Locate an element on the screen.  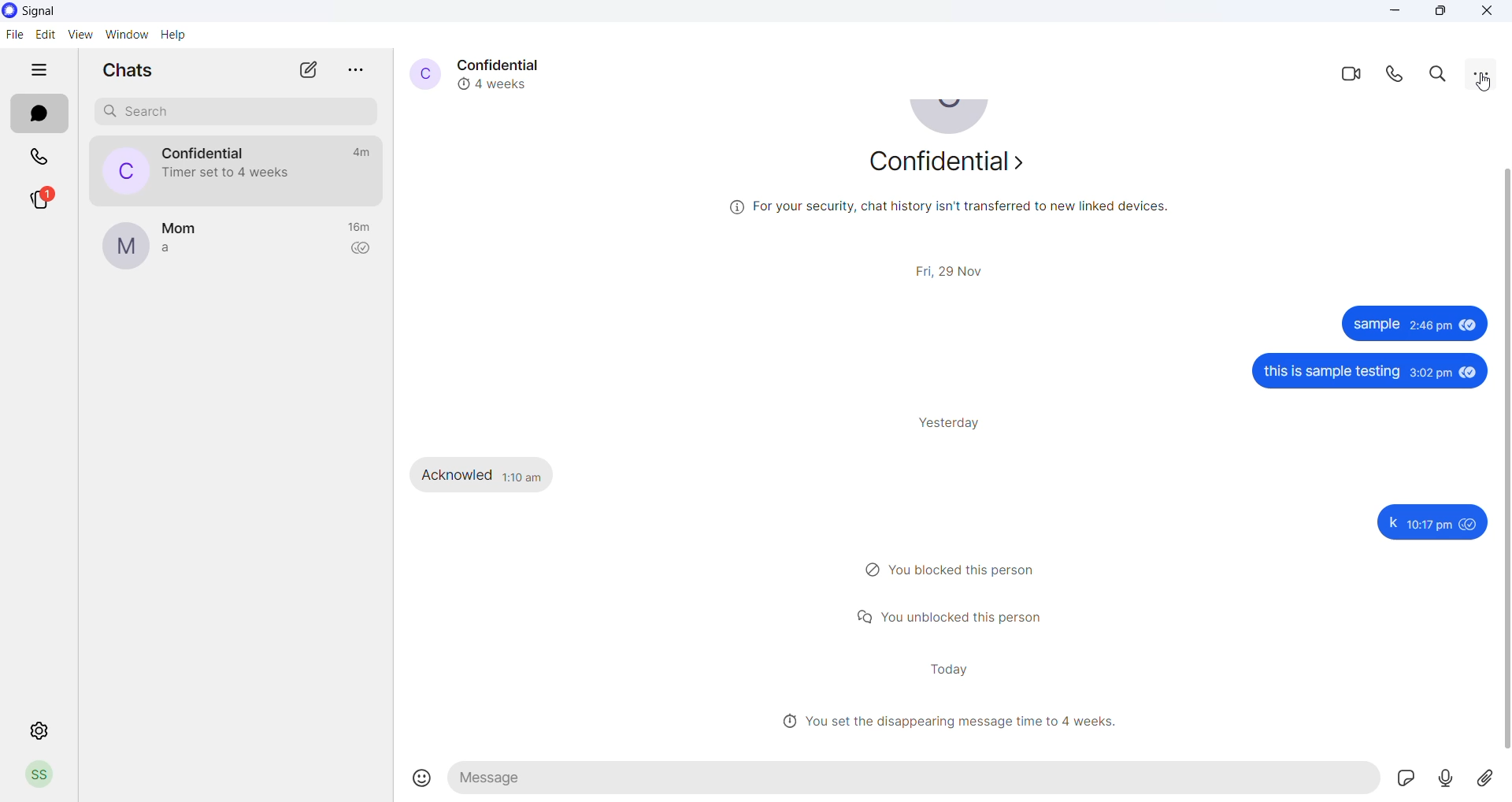
video call is located at coordinates (1354, 72).